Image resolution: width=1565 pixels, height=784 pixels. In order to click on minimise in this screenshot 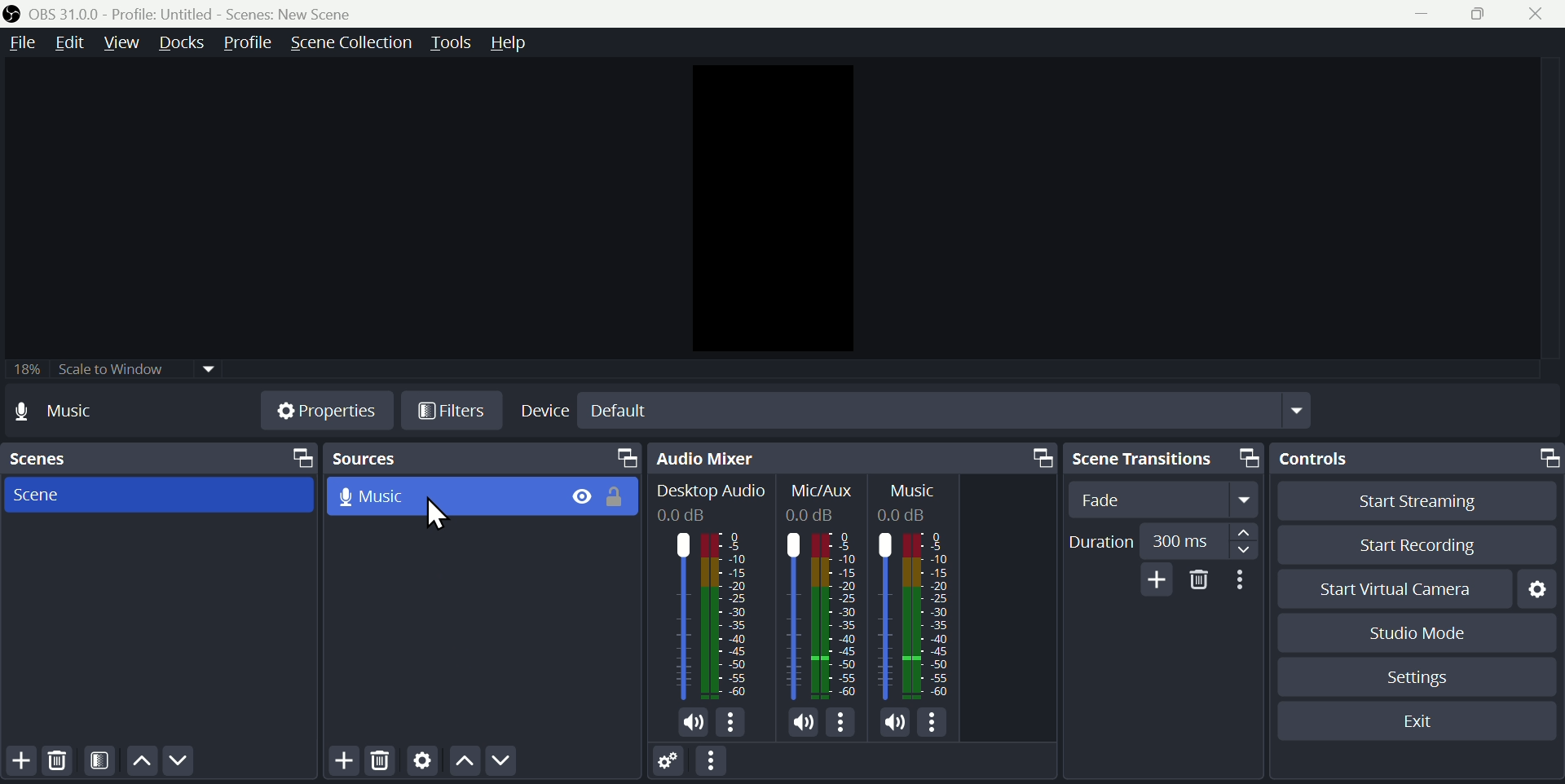, I will do `click(1422, 17)`.